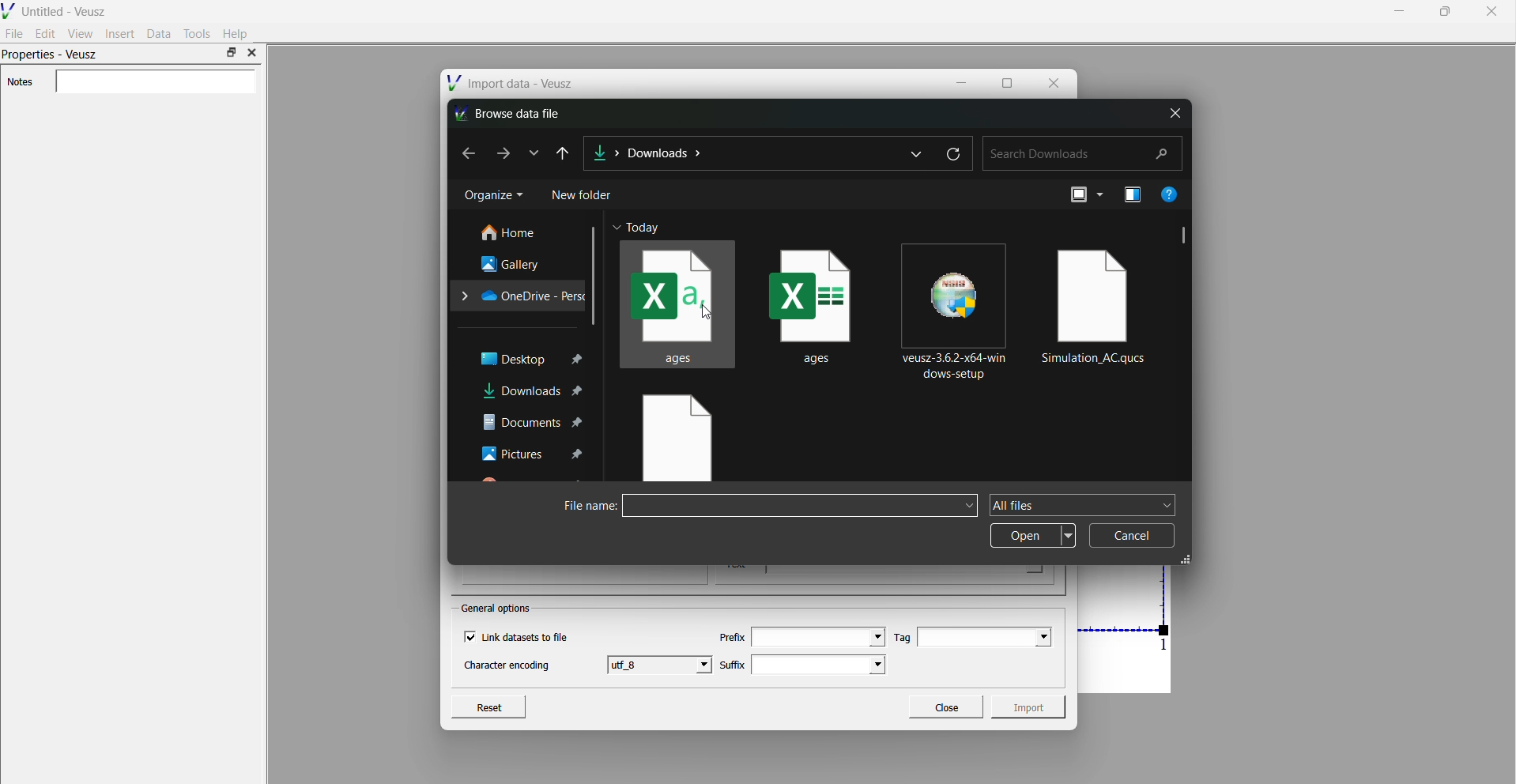 Image resolution: width=1516 pixels, height=784 pixels. I want to click on Link datasets to file, so click(530, 637).